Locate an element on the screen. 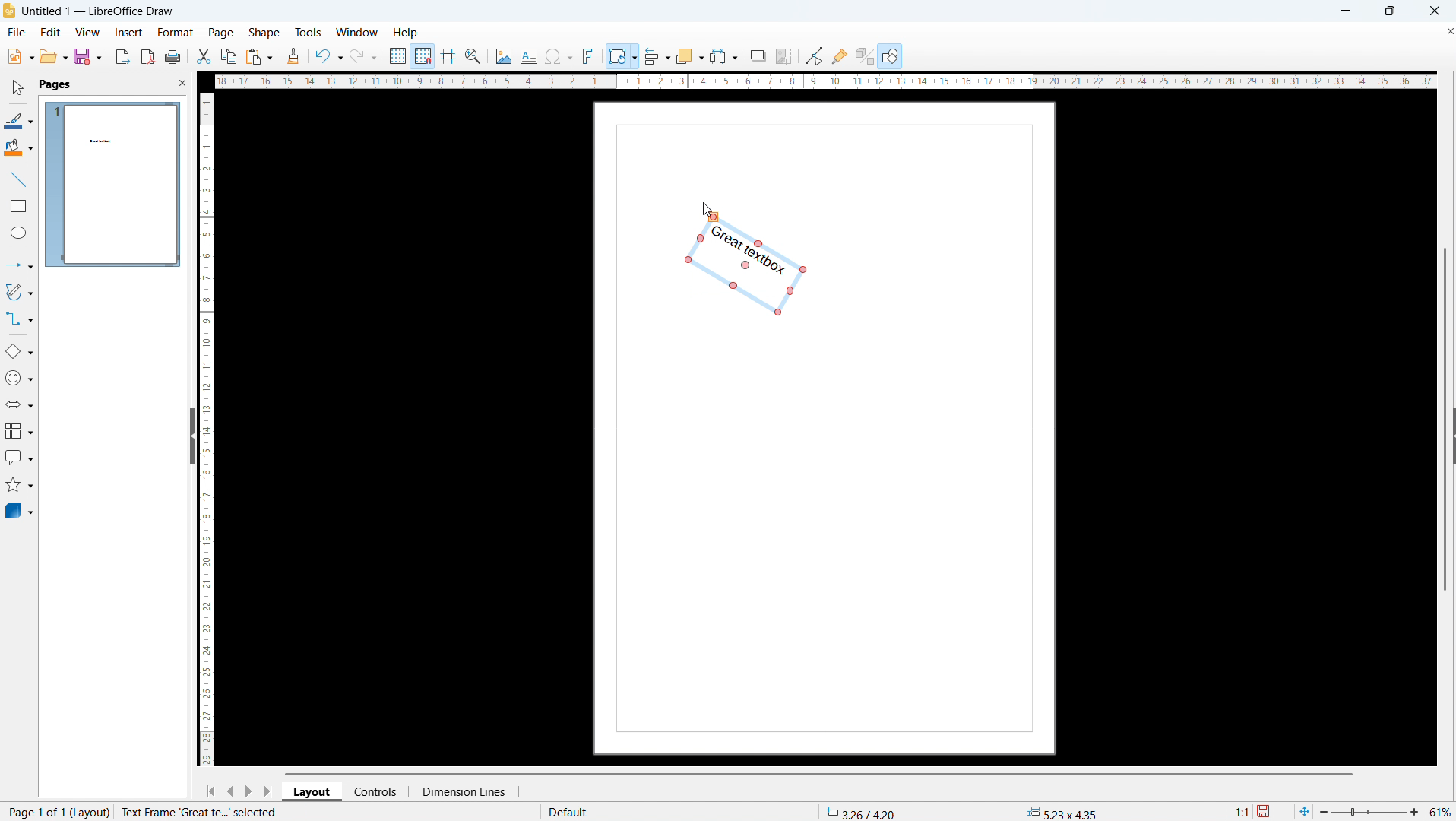 This screenshot has width=1456, height=821. Vertical scroll bar  is located at coordinates (1450, 315).